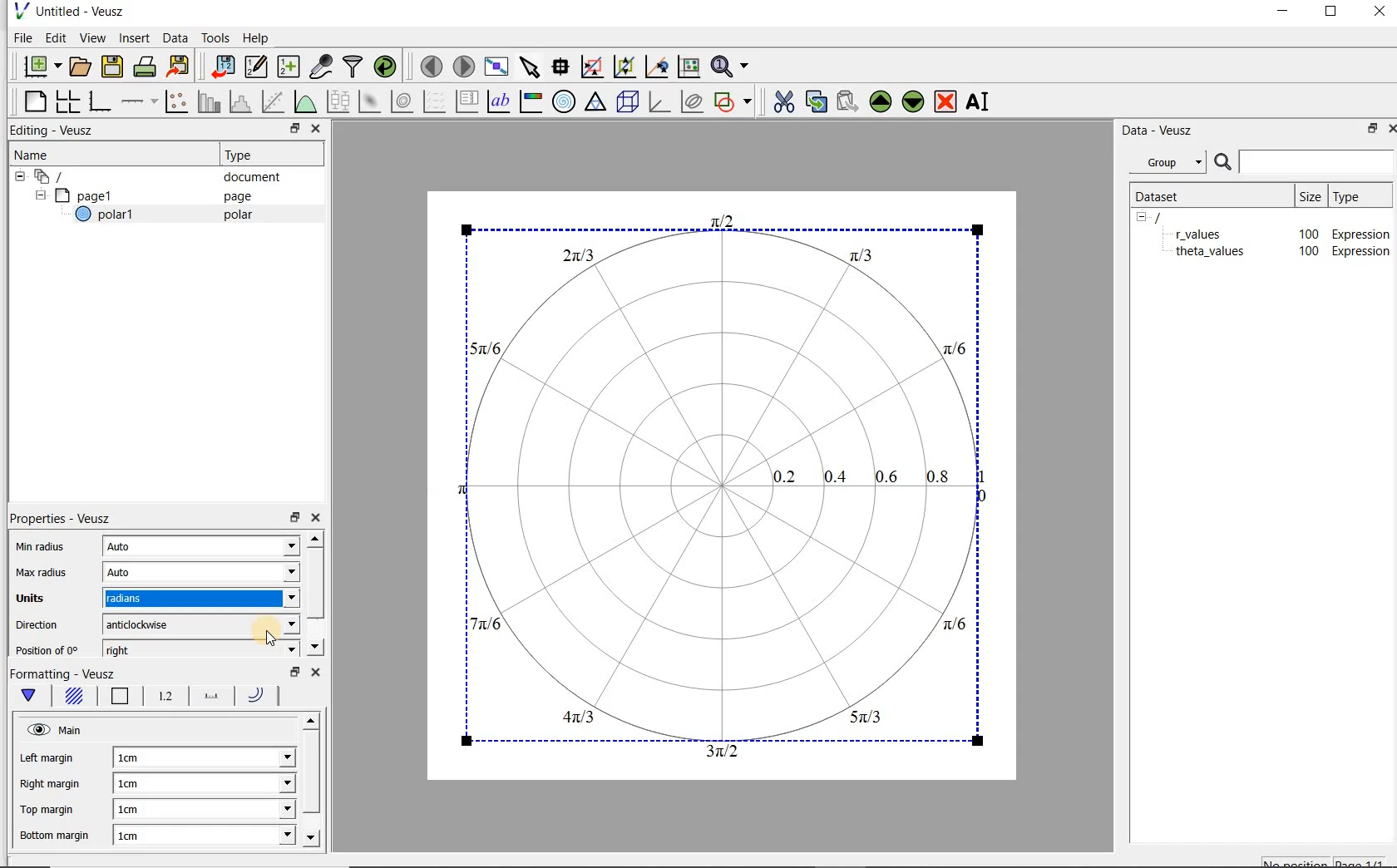 This screenshot has width=1397, height=868. I want to click on print the document, so click(148, 66).